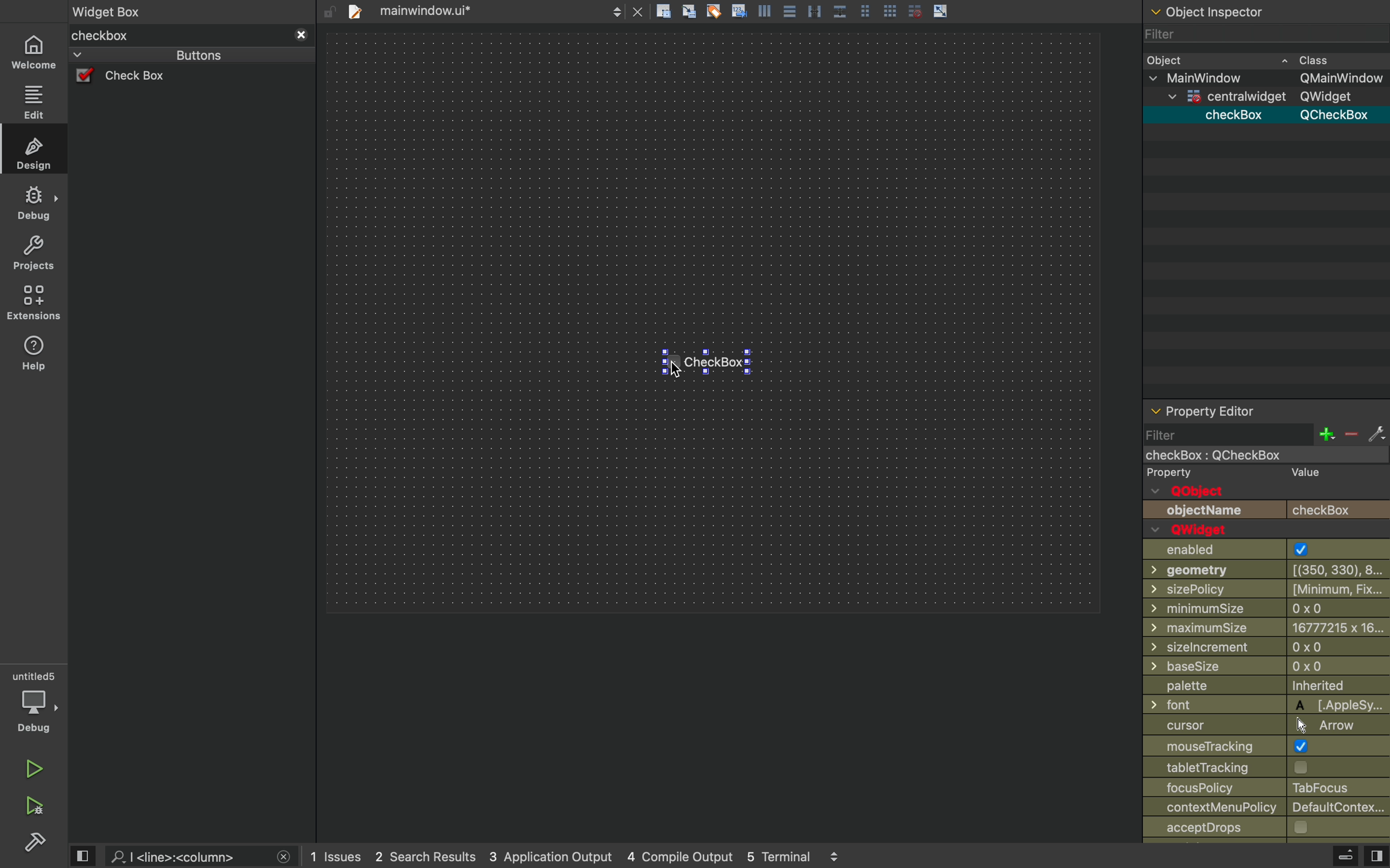 This screenshot has width=1390, height=868. What do you see at coordinates (1376, 857) in the screenshot?
I see `view` at bounding box center [1376, 857].